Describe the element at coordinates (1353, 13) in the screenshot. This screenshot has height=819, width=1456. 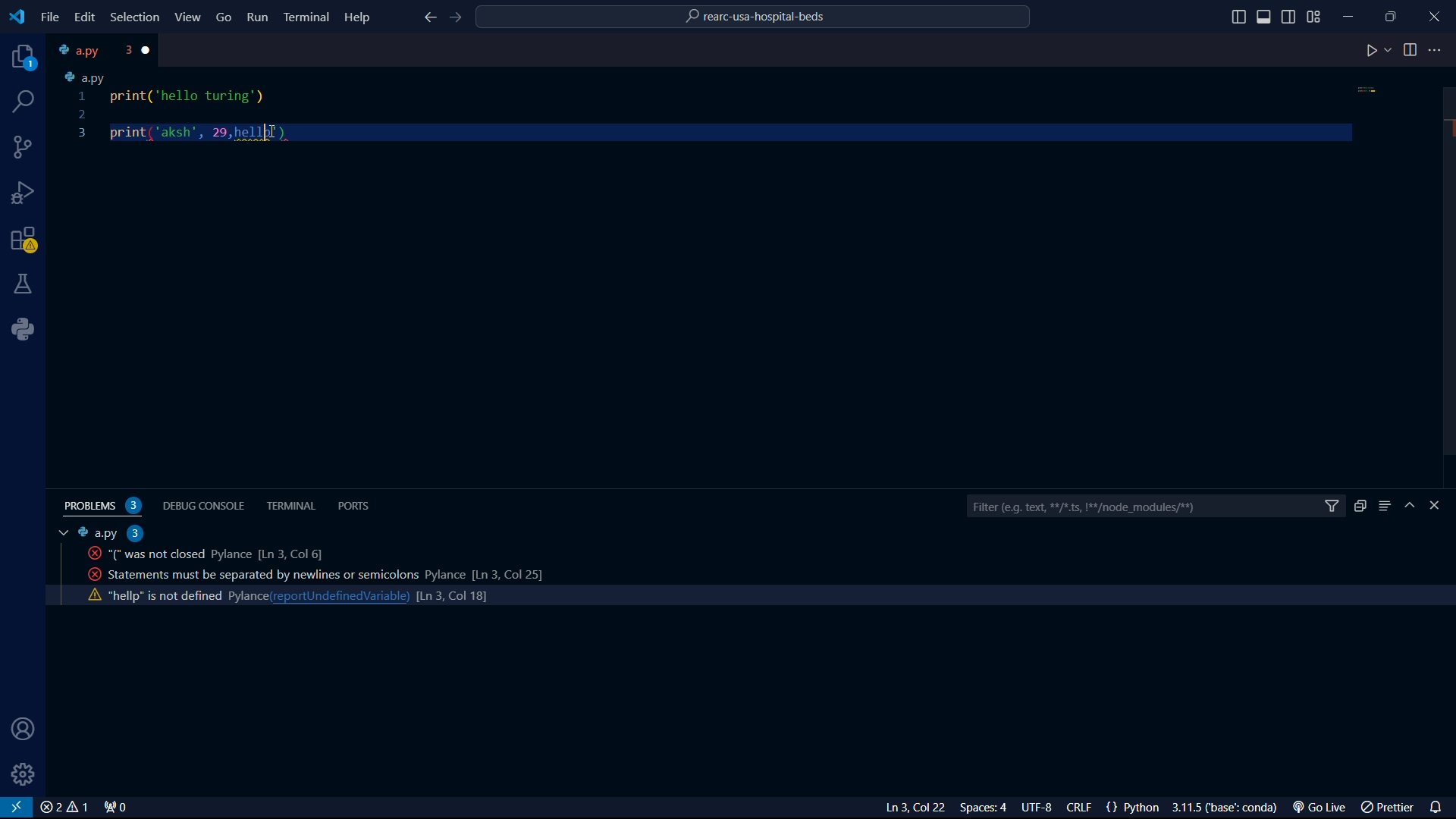
I see `minimize` at that location.